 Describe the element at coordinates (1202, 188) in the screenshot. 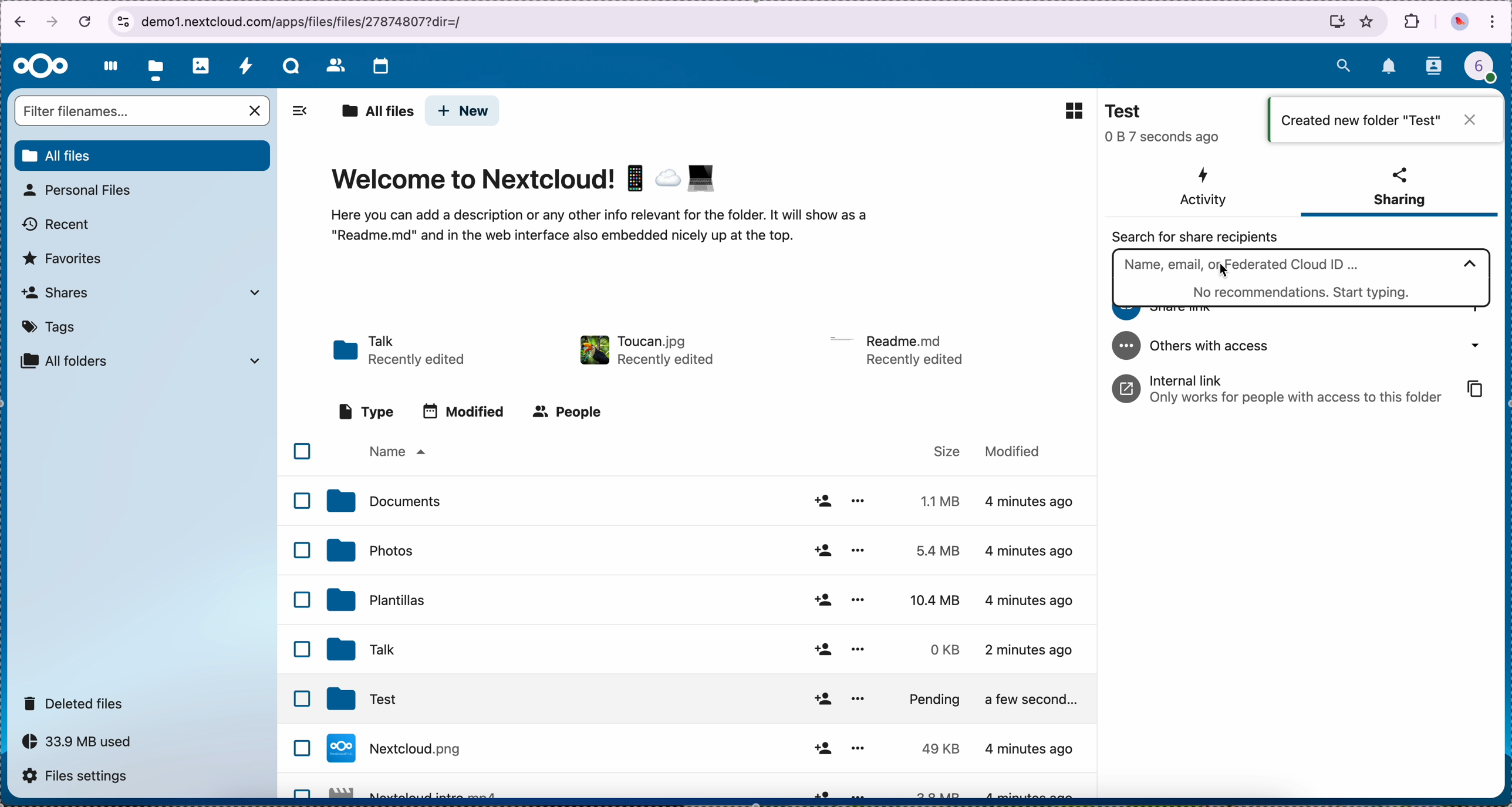

I see `activity` at that location.